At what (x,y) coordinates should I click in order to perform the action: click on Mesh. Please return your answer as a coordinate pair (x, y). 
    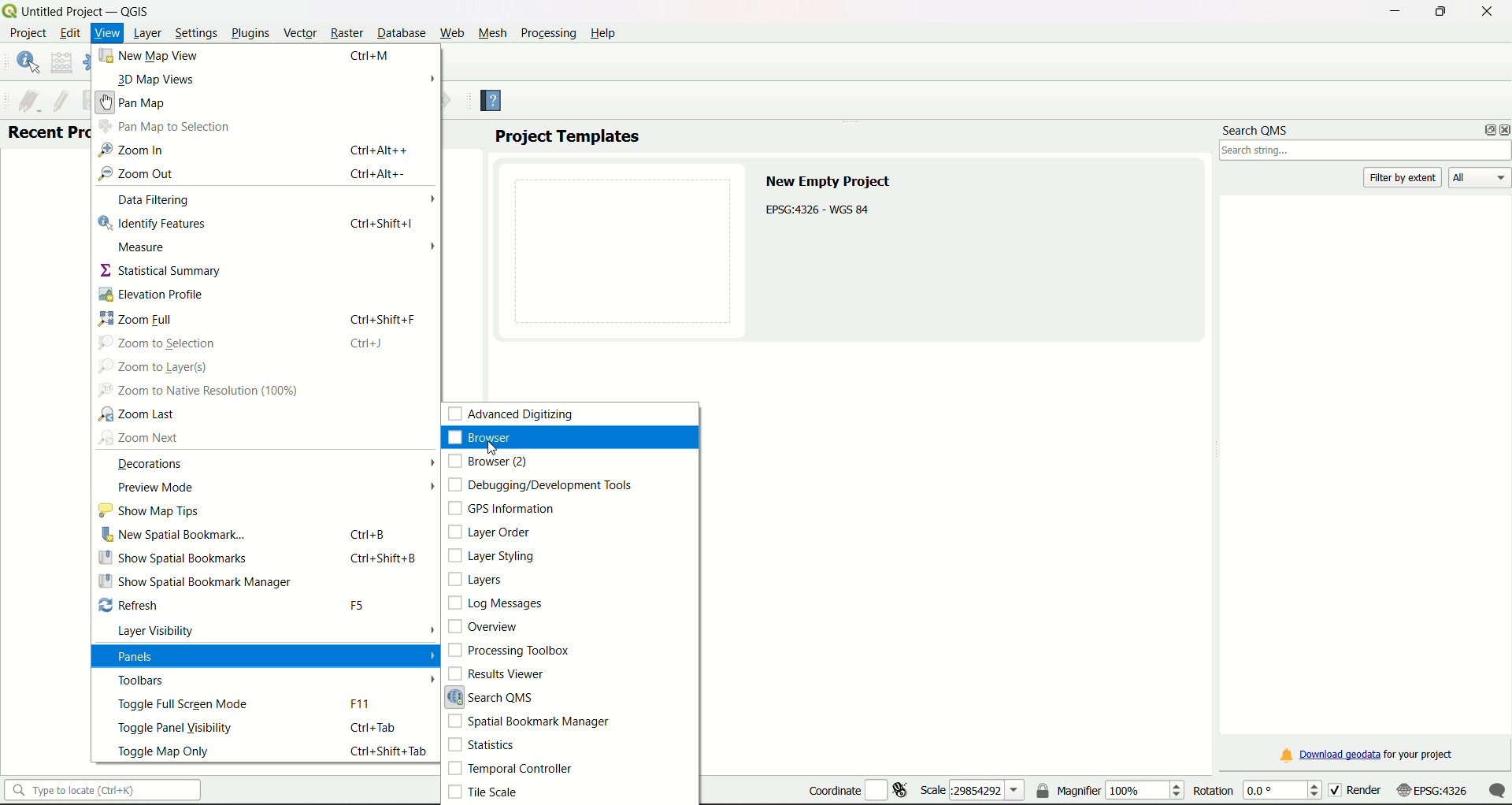
    Looking at the image, I should click on (493, 33).